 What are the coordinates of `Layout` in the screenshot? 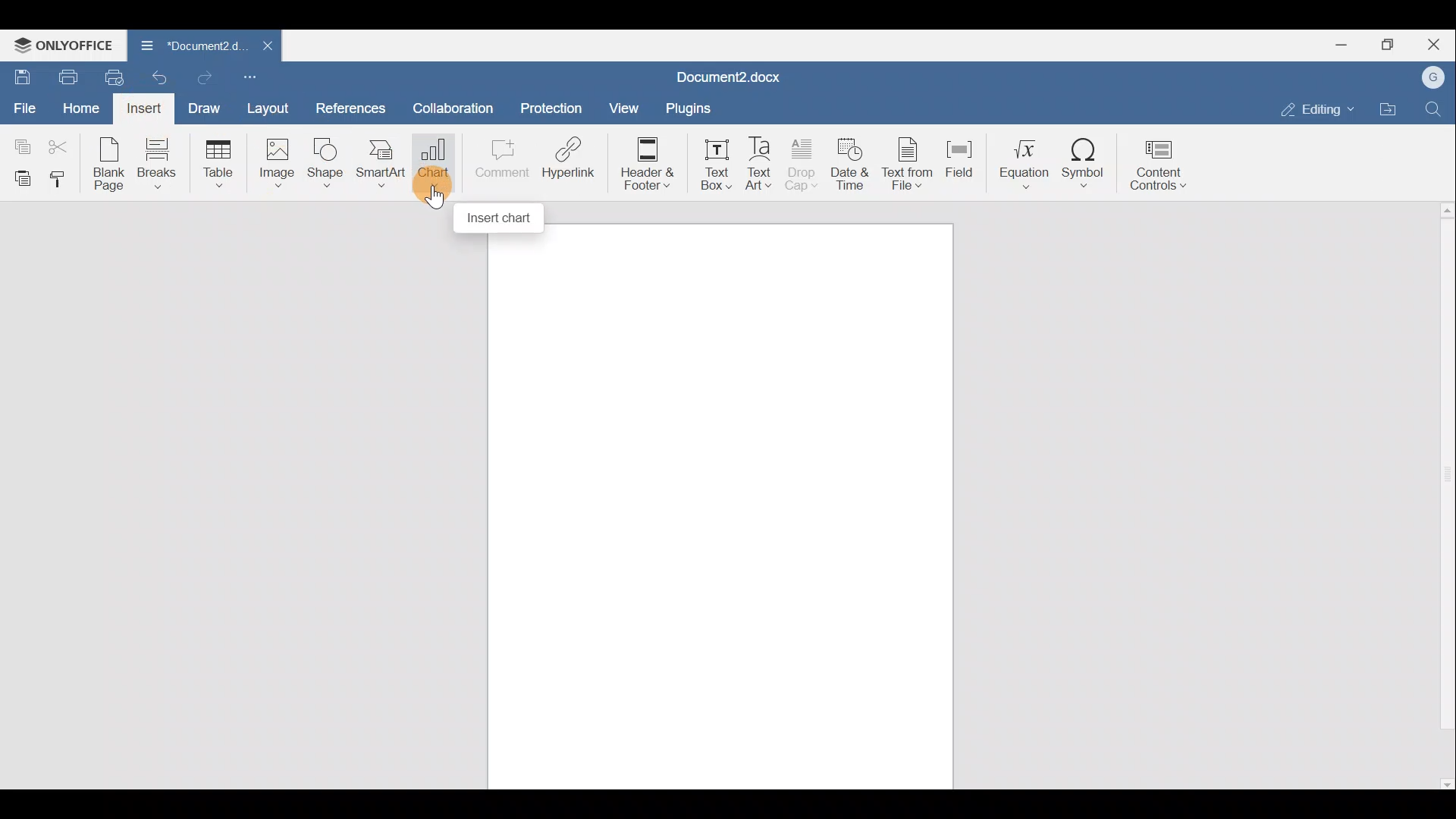 It's located at (268, 110).